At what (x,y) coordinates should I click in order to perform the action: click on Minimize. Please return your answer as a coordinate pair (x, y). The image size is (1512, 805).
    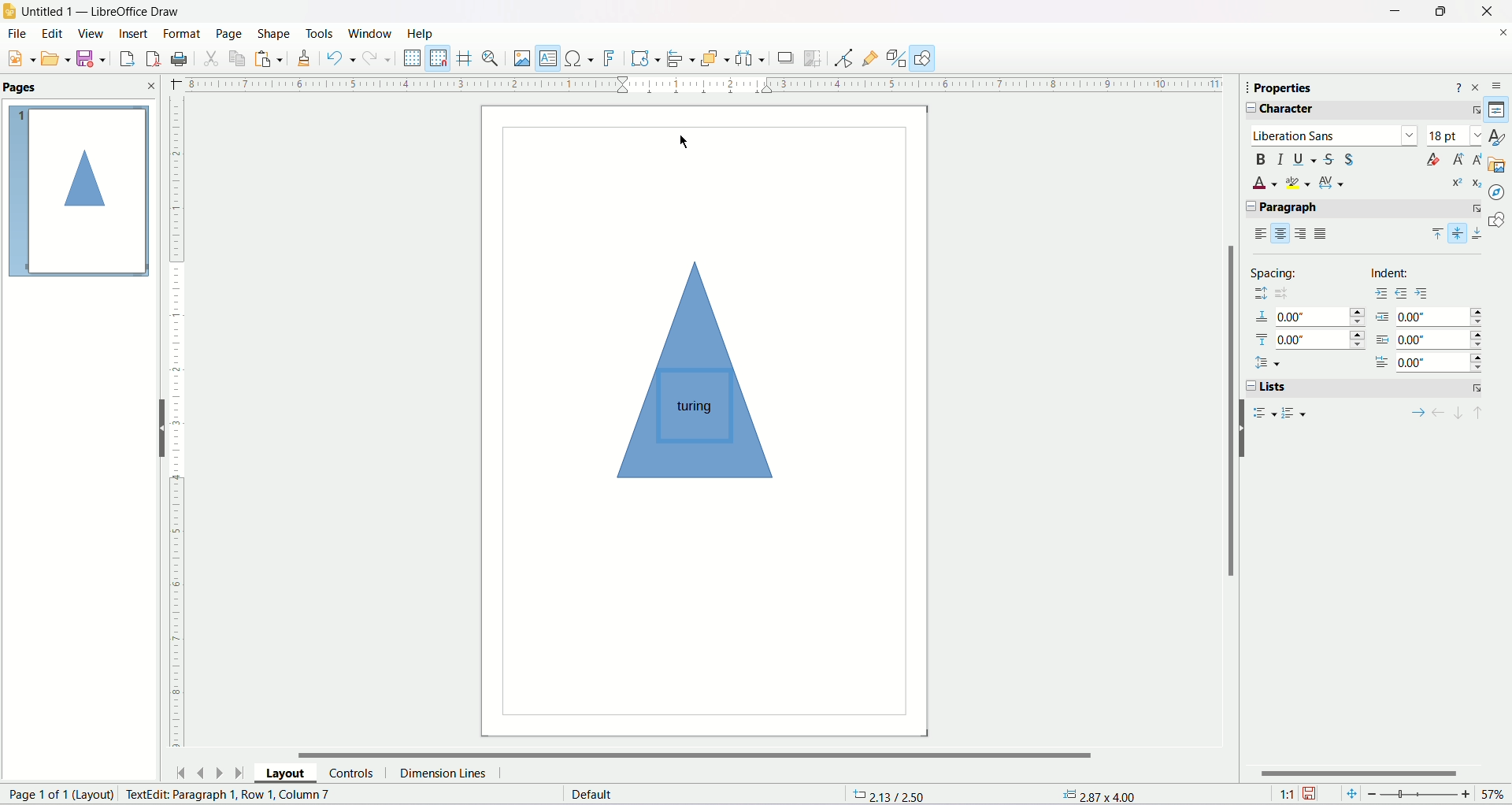
    Looking at the image, I should click on (1395, 10).